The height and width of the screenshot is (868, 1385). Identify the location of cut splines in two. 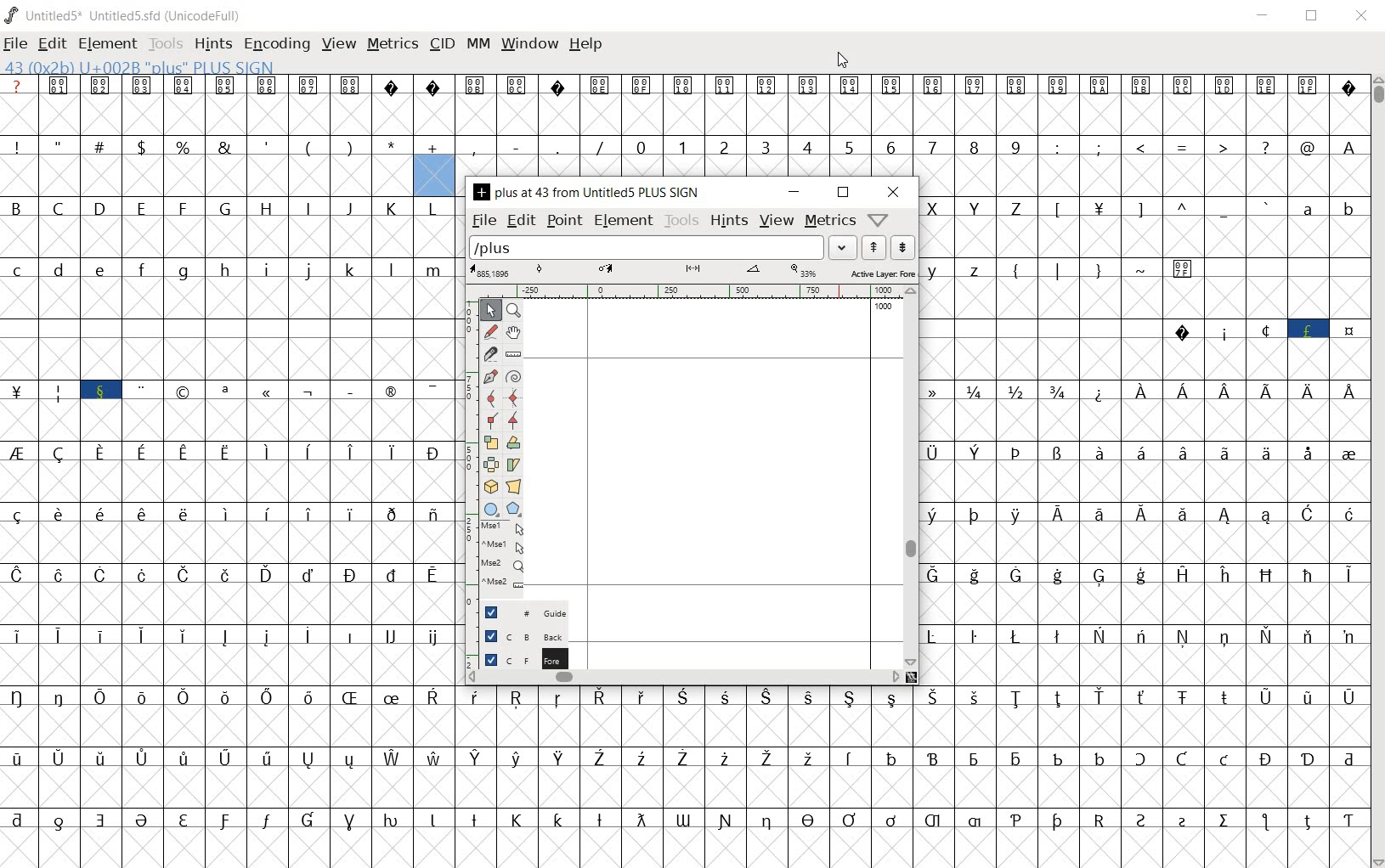
(489, 355).